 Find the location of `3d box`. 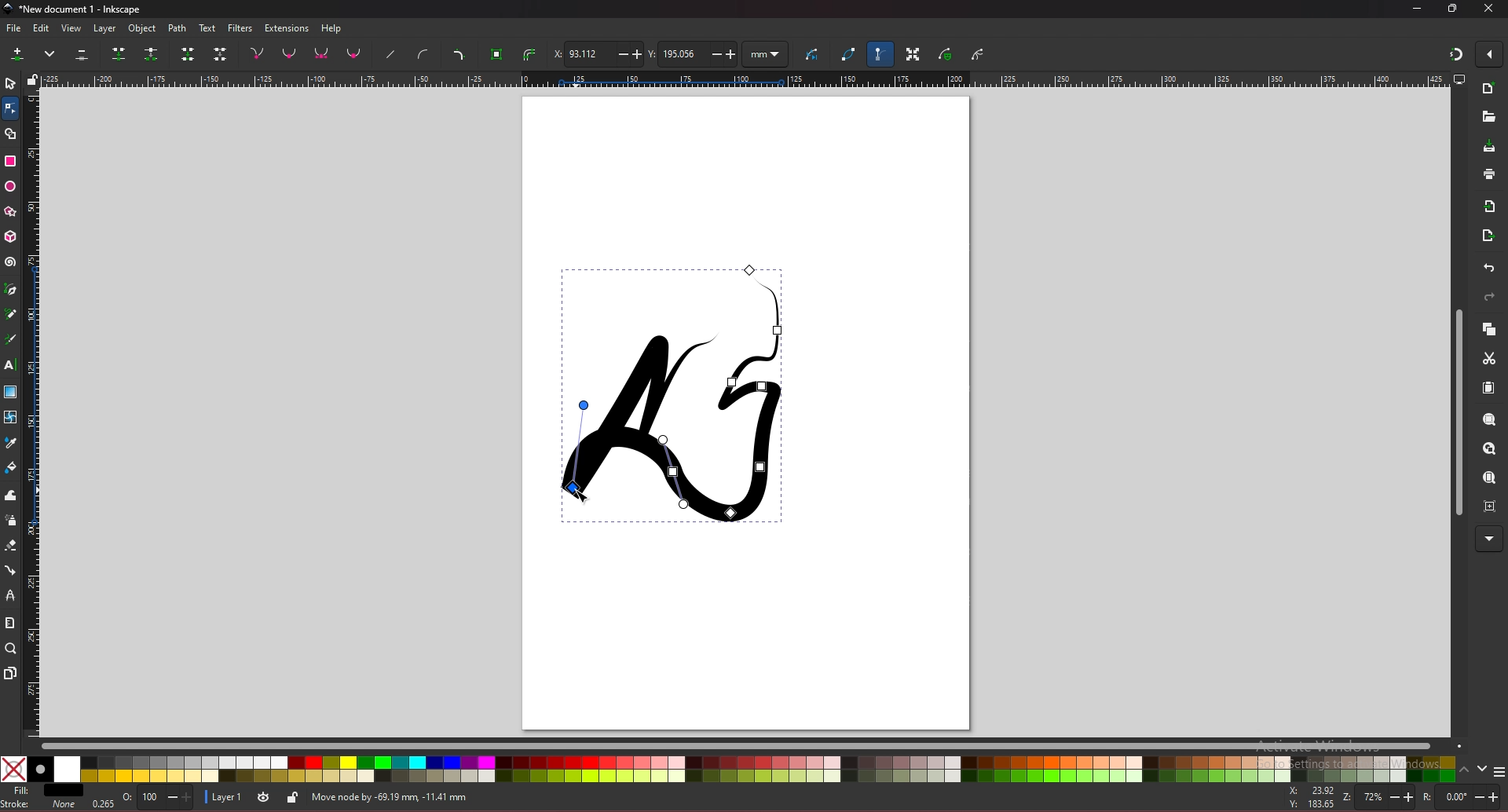

3d box is located at coordinates (11, 237).